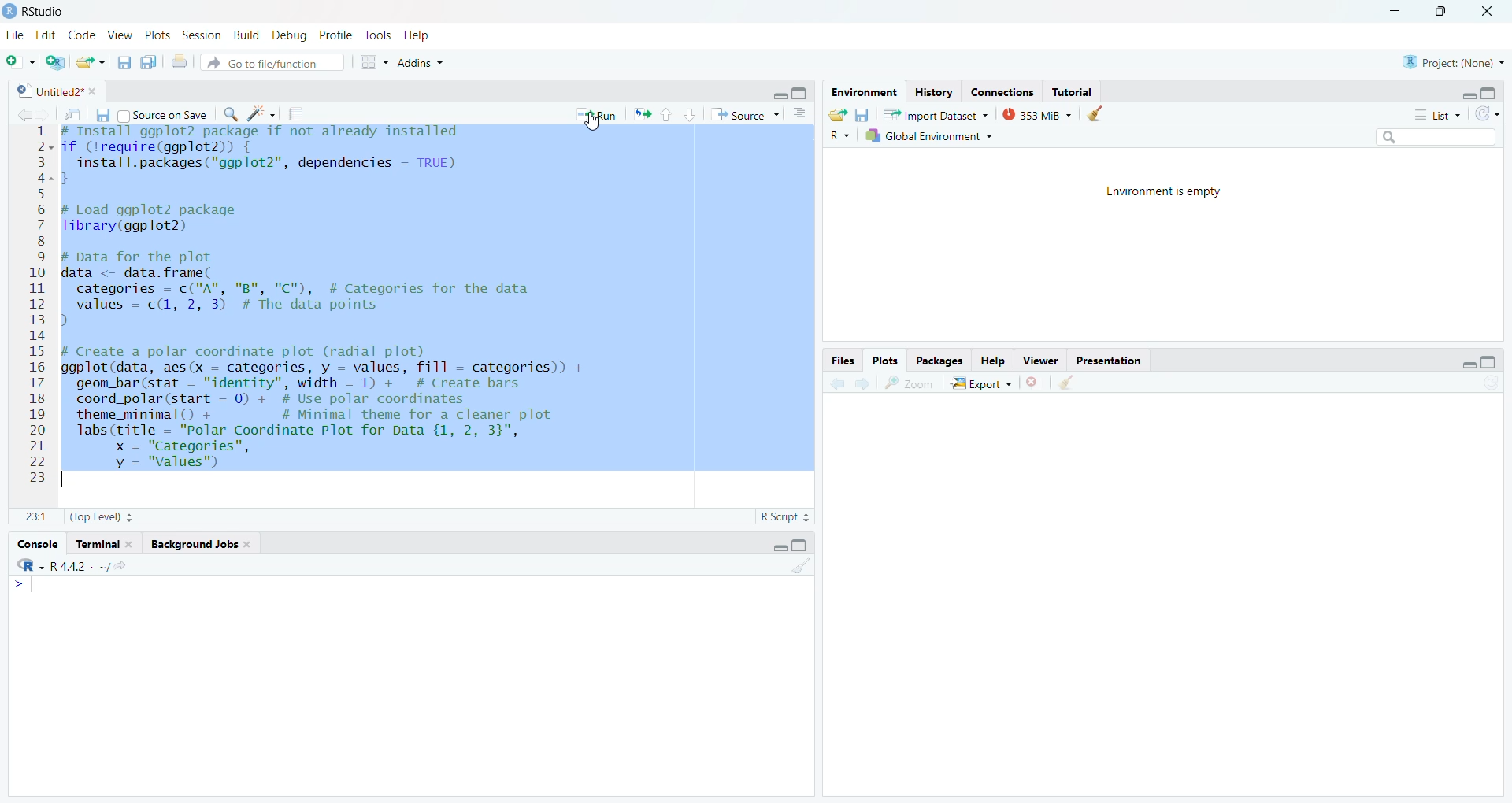 This screenshot has width=1512, height=803. I want to click on re run the previous code, so click(641, 115).